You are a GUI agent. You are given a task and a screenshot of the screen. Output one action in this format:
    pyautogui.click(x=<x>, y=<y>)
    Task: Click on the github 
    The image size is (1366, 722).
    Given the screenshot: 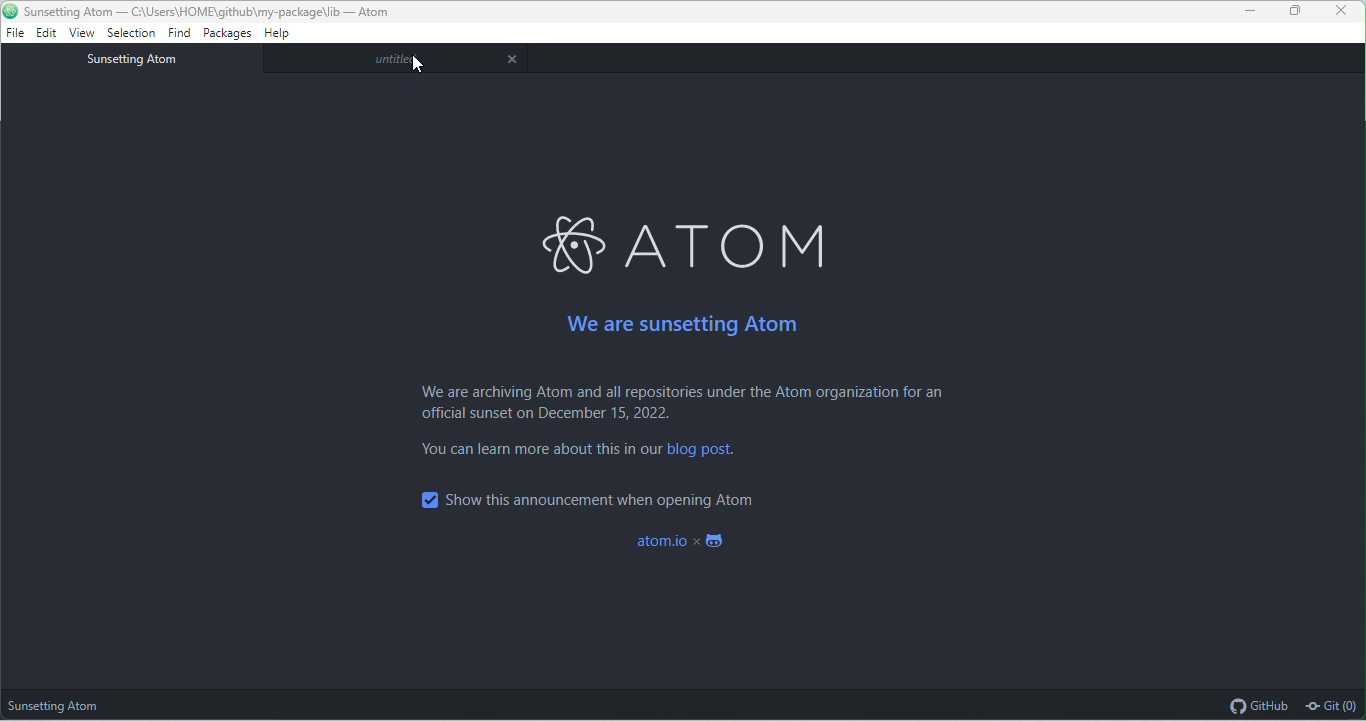 What is the action you would take?
    pyautogui.click(x=1275, y=704)
    